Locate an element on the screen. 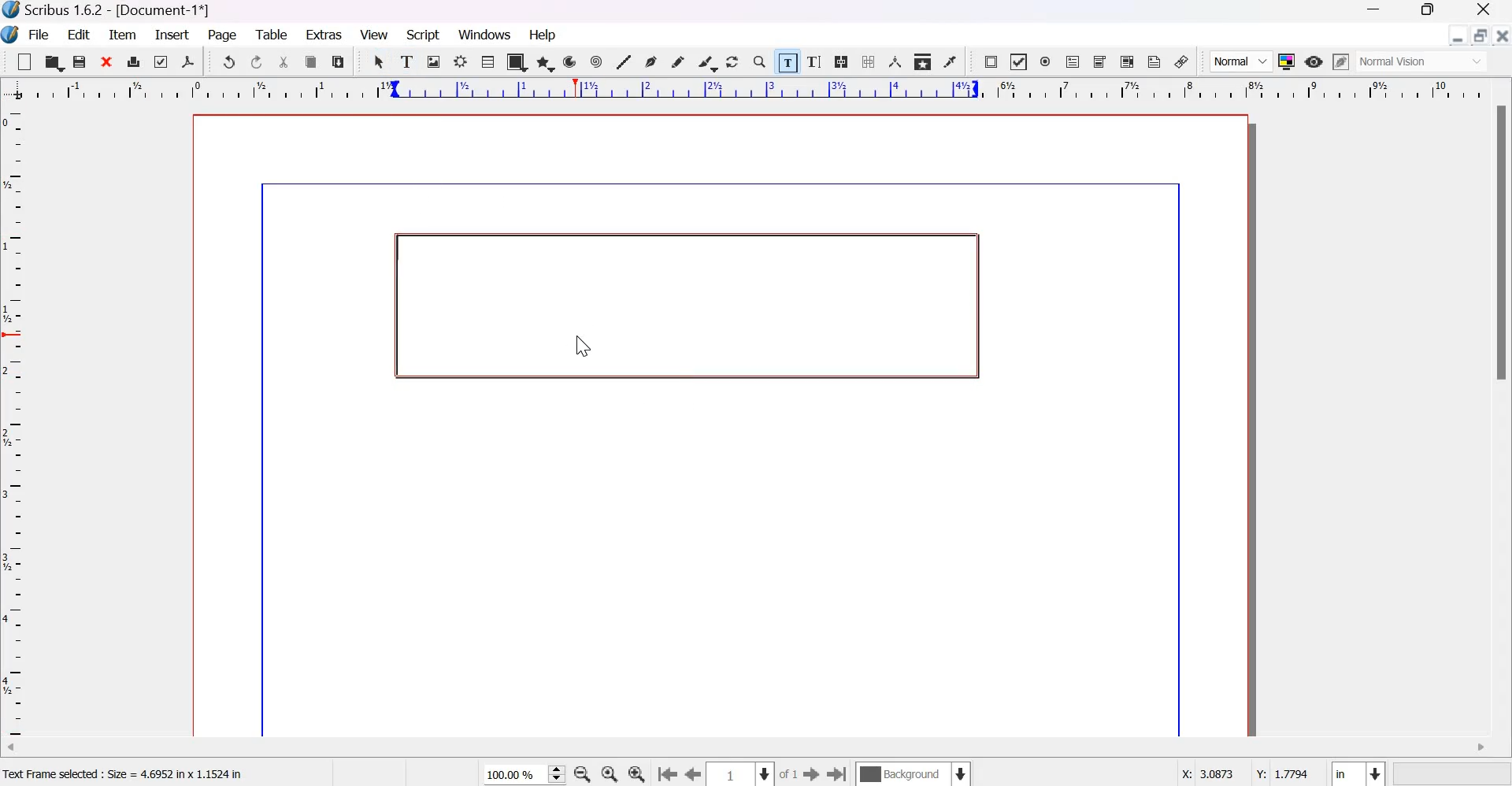  Close is located at coordinates (1484, 11).